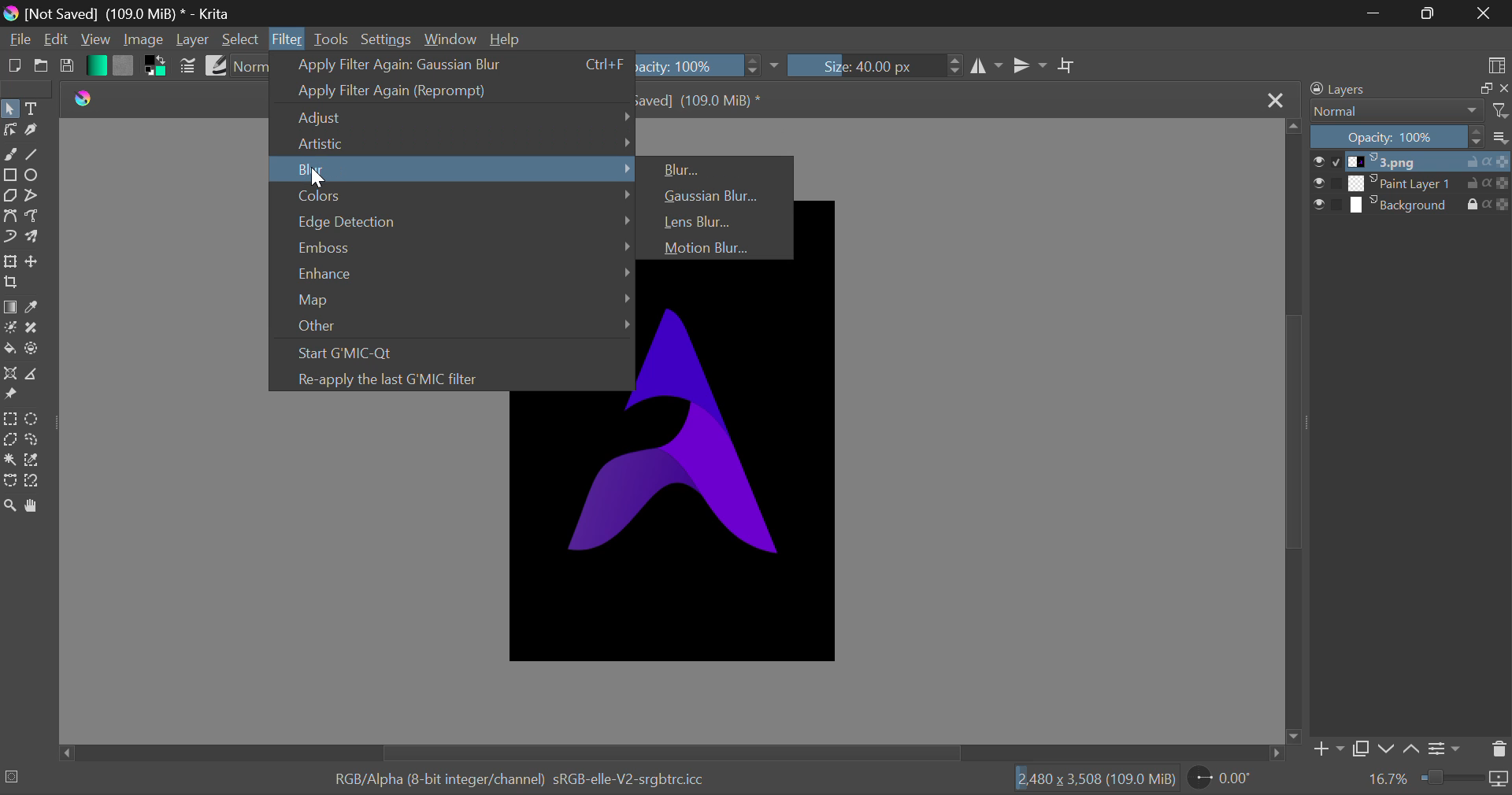 The image size is (1512, 795). What do you see at coordinates (130, 14) in the screenshot?
I see `[Not Saved] (109.0 MiB) * - Krita` at bounding box center [130, 14].